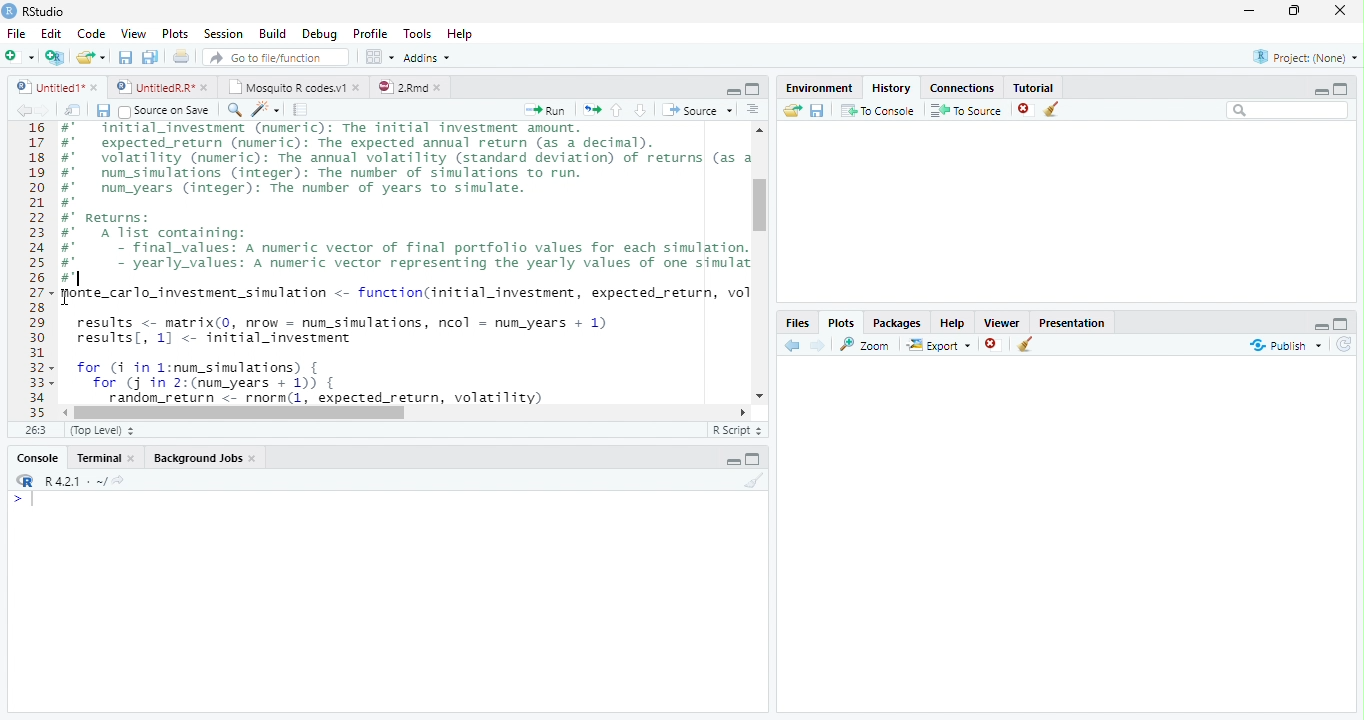 Image resolution: width=1364 pixels, height=720 pixels. Describe the element at coordinates (102, 431) in the screenshot. I see `(Top Level)` at that location.